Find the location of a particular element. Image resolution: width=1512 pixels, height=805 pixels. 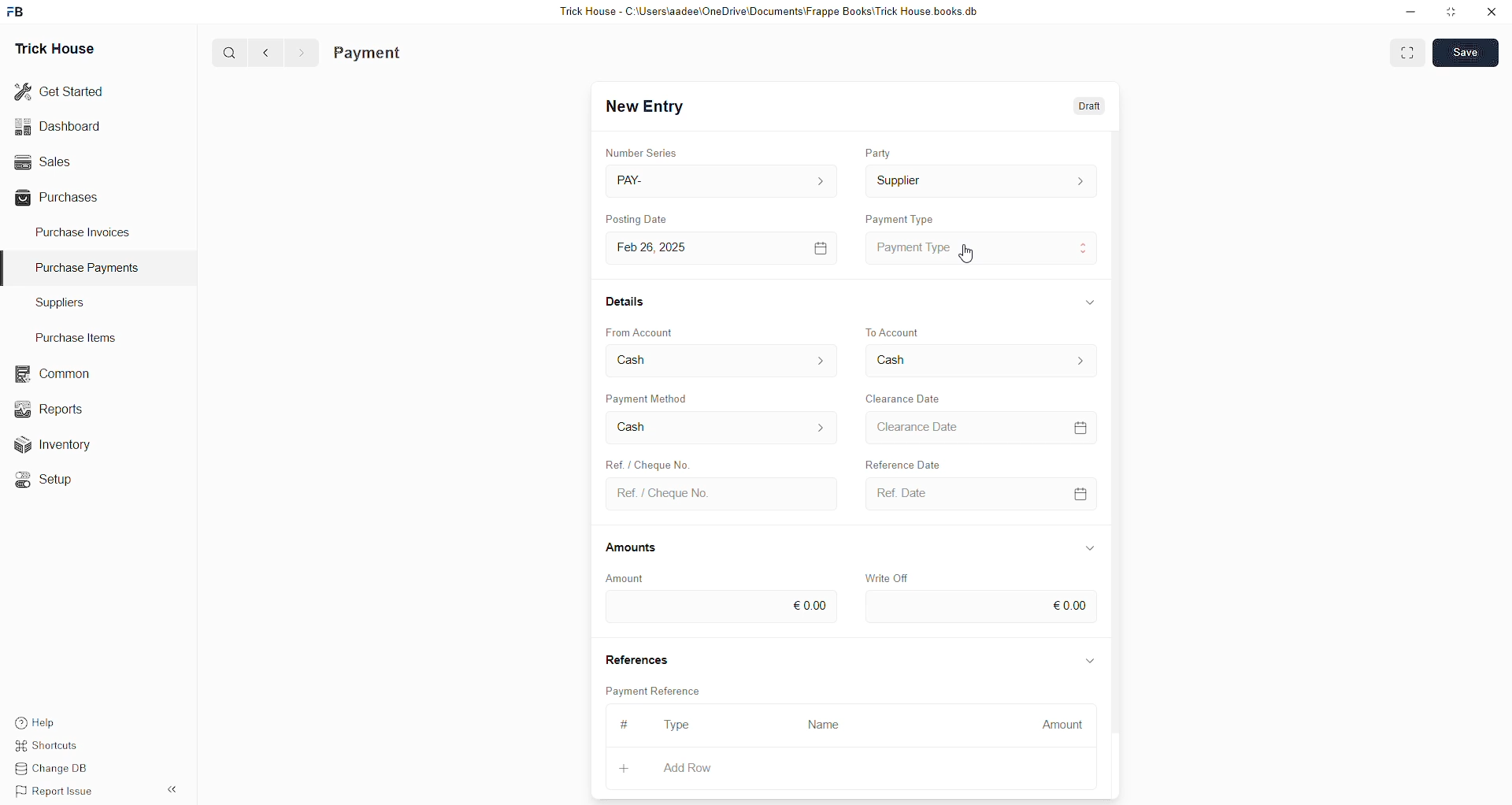

Amount is located at coordinates (634, 577).